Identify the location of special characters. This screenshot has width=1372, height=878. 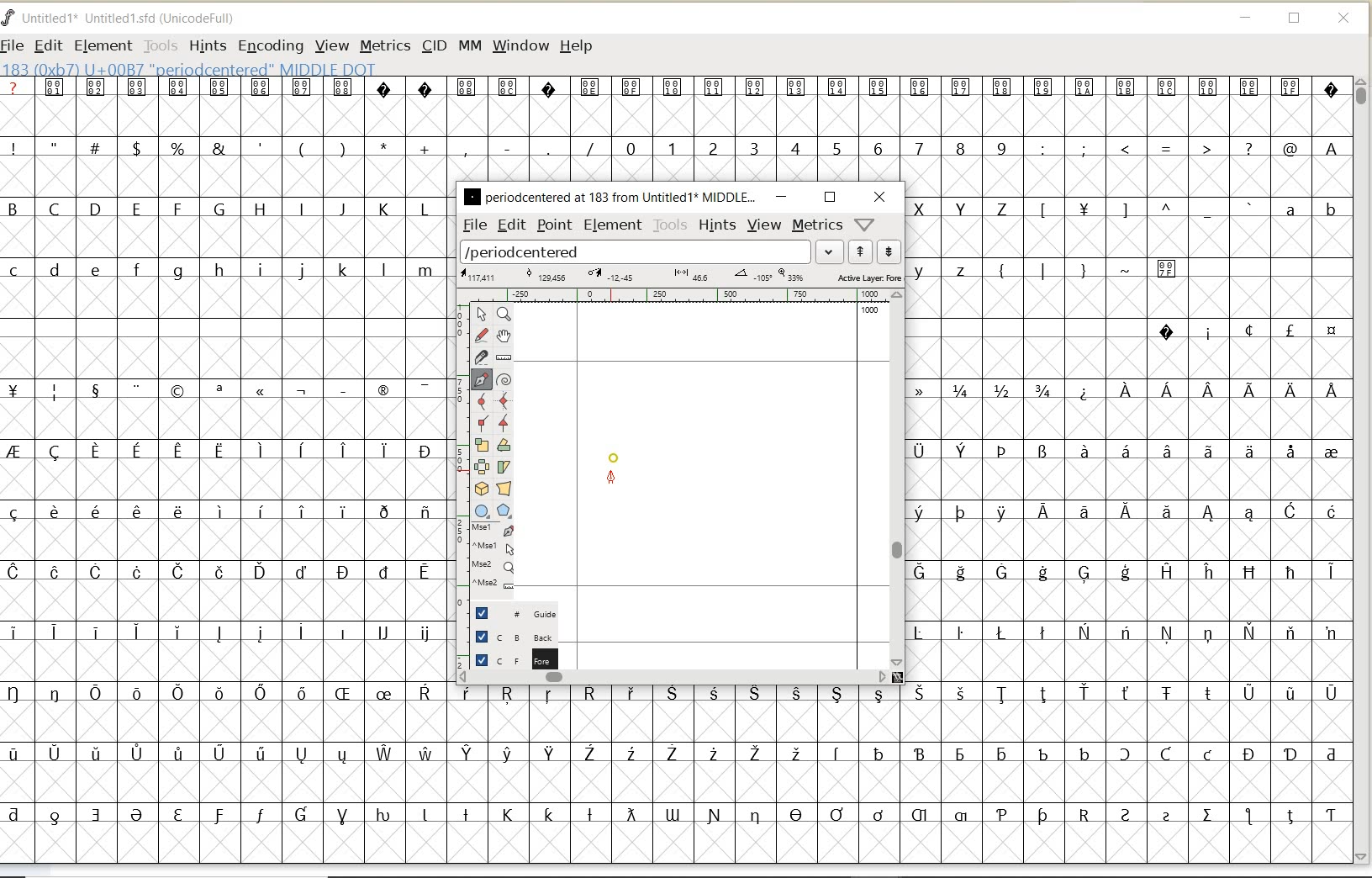
(1193, 149).